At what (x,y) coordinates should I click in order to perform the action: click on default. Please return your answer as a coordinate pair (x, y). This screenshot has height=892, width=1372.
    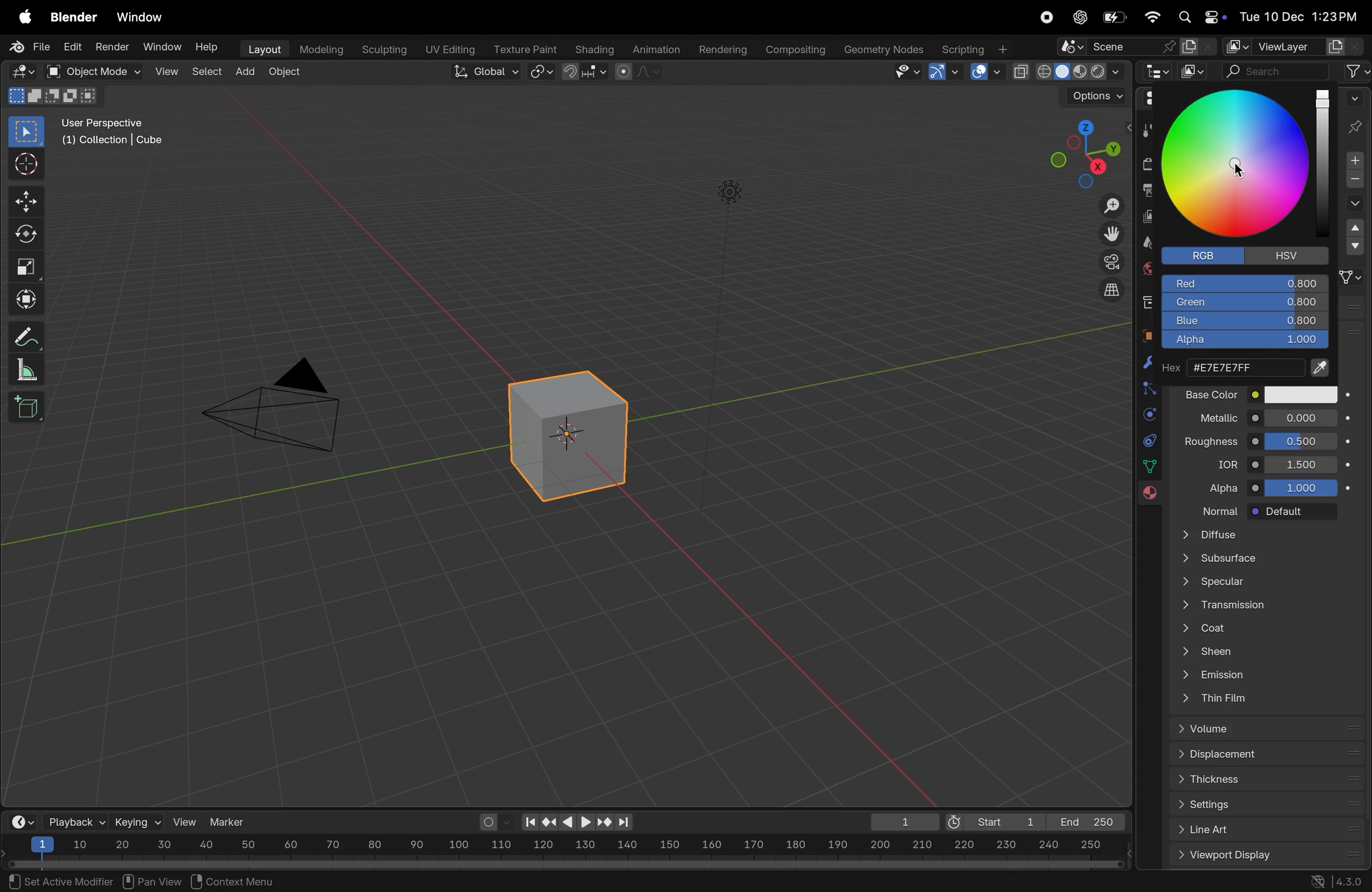
    Looking at the image, I should click on (1294, 512).